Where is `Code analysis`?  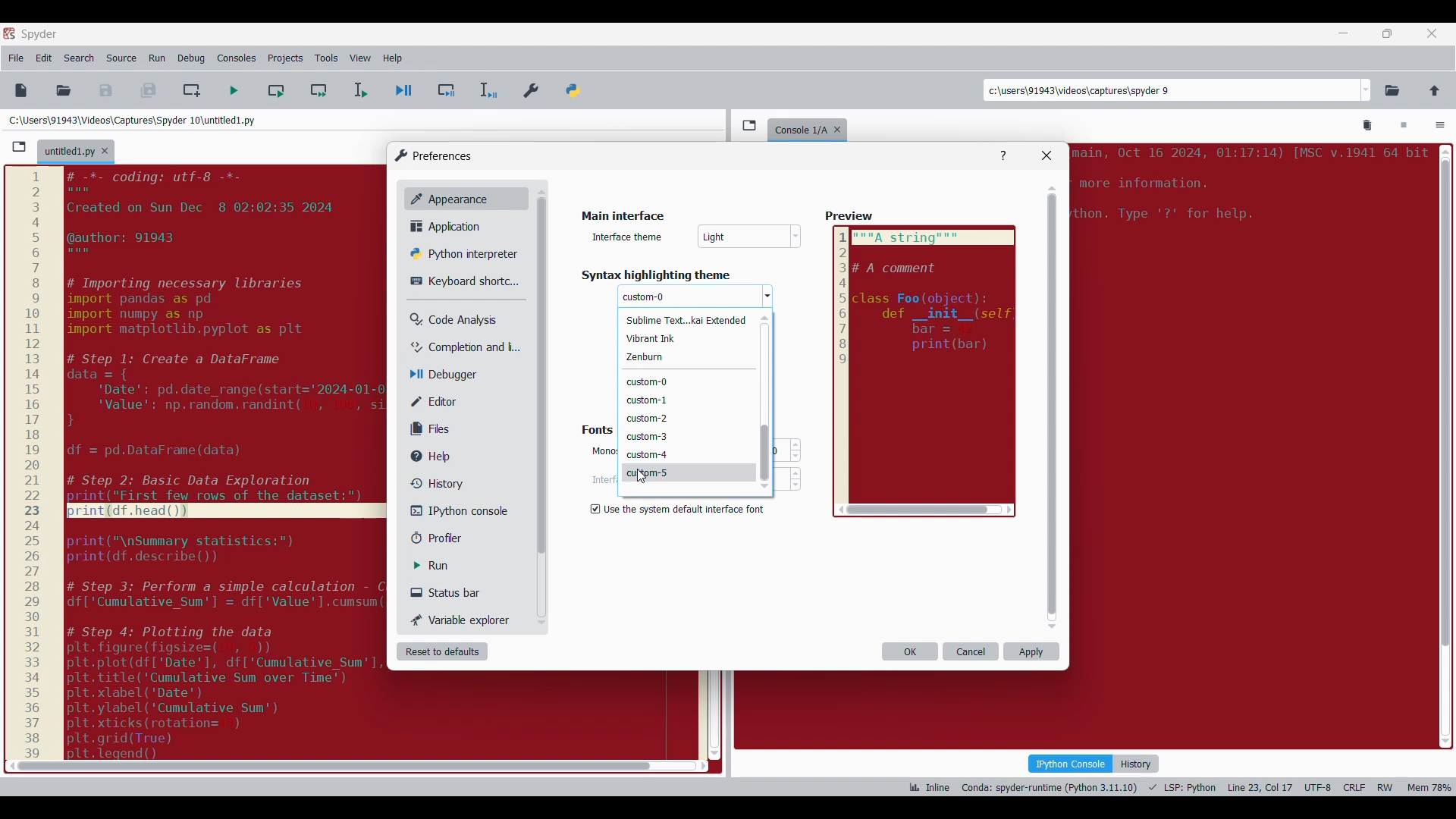
Code analysis is located at coordinates (453, 320).